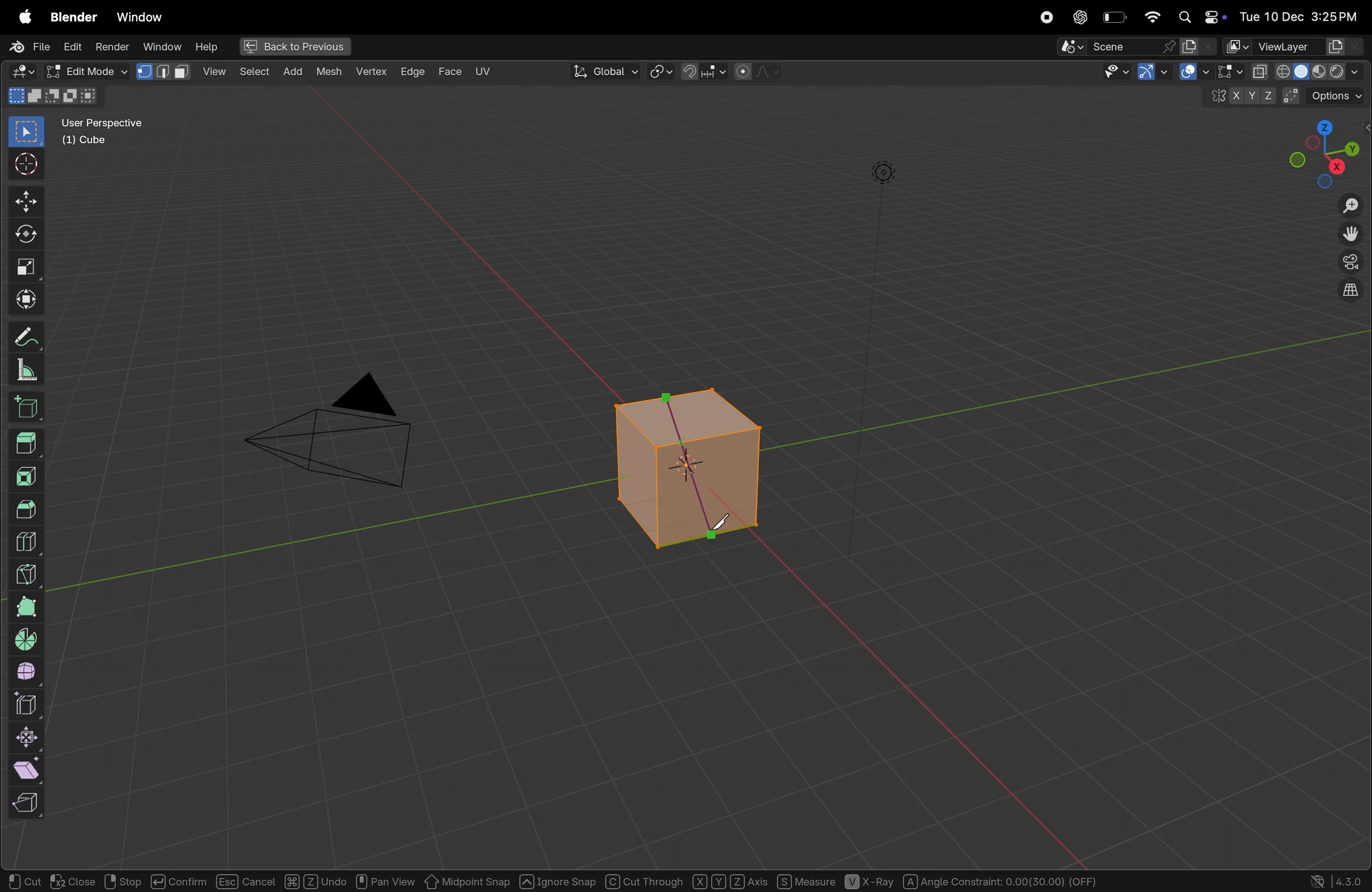  What do you see at coordinates (32, 540) in the screenshot?
I see `loop cut` at bounding box center [32, 540].